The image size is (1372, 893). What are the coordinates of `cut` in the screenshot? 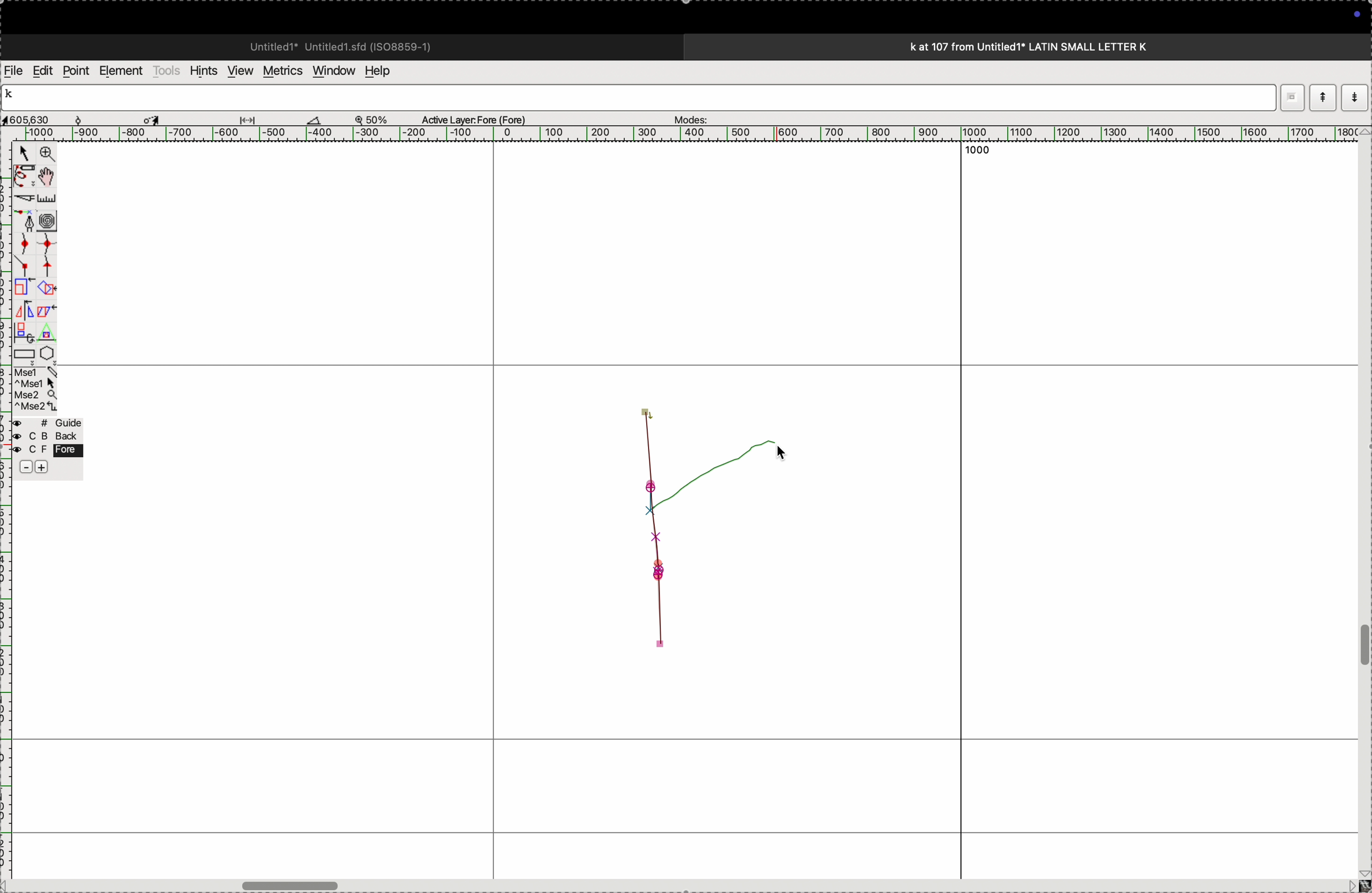 It's located at (314, 119).